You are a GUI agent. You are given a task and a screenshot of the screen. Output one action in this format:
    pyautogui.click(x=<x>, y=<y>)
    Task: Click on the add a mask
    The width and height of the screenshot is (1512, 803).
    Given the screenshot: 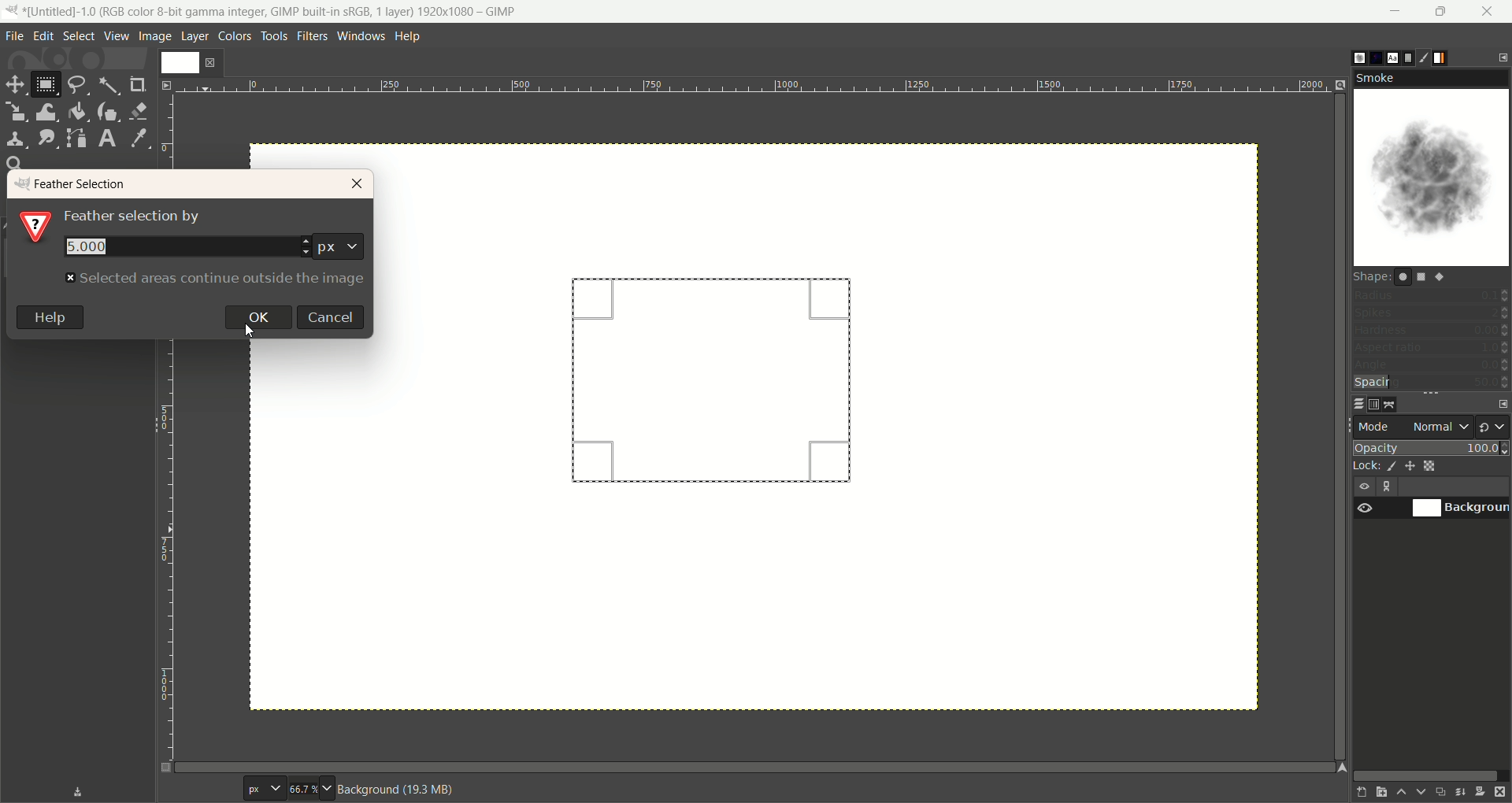 What is the action you would take?
    pyautogui.click(x=1479, y=794)
    